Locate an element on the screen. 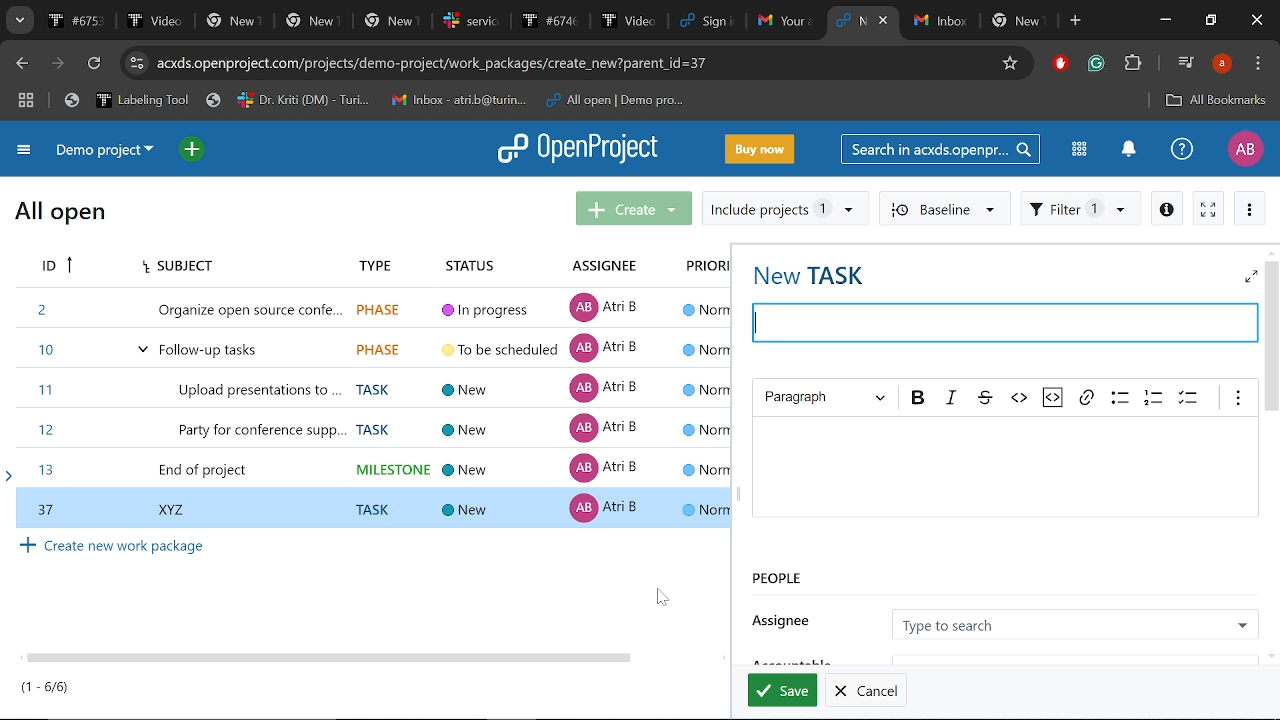  Subject is located at coordinates (174, 267).